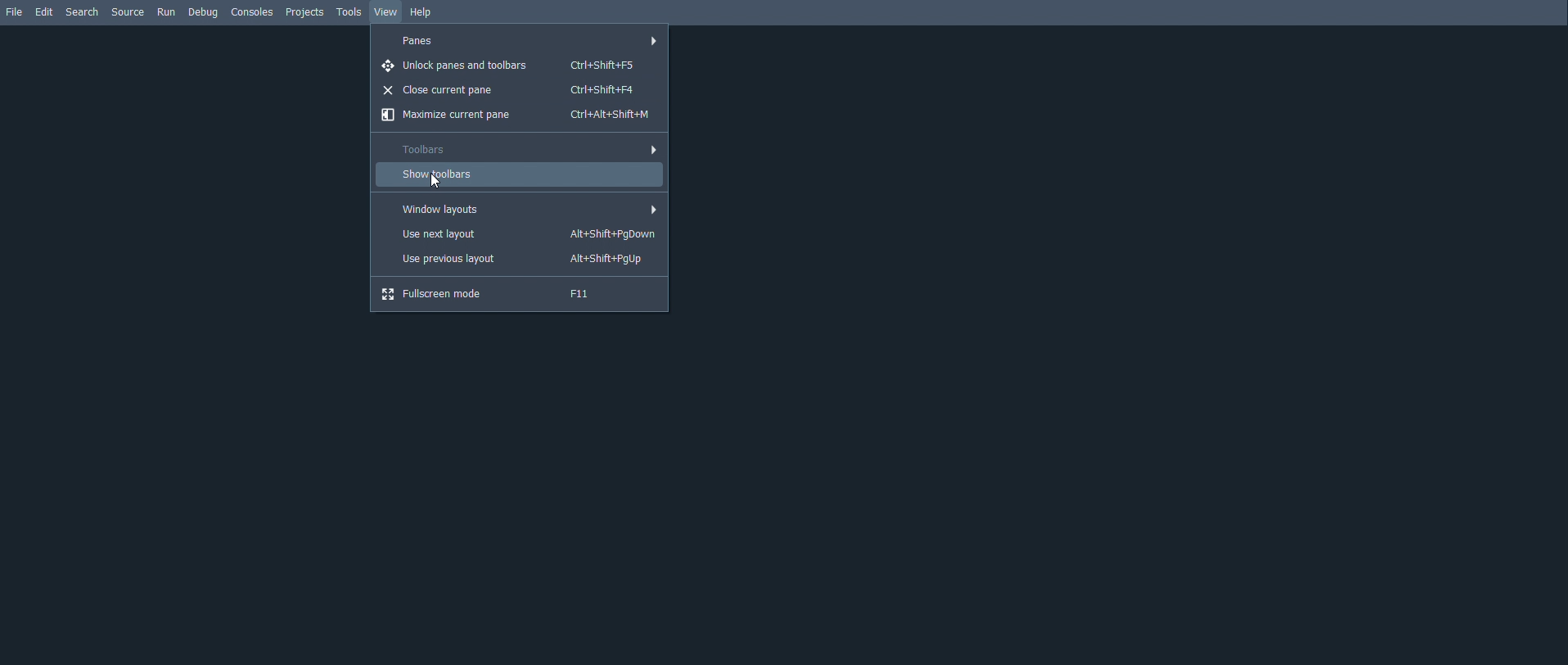 The width and height of the screenshot is (1568, 665). Describe the element at coordinates (167, 13) in the screenshot. I see `Run` at that location.